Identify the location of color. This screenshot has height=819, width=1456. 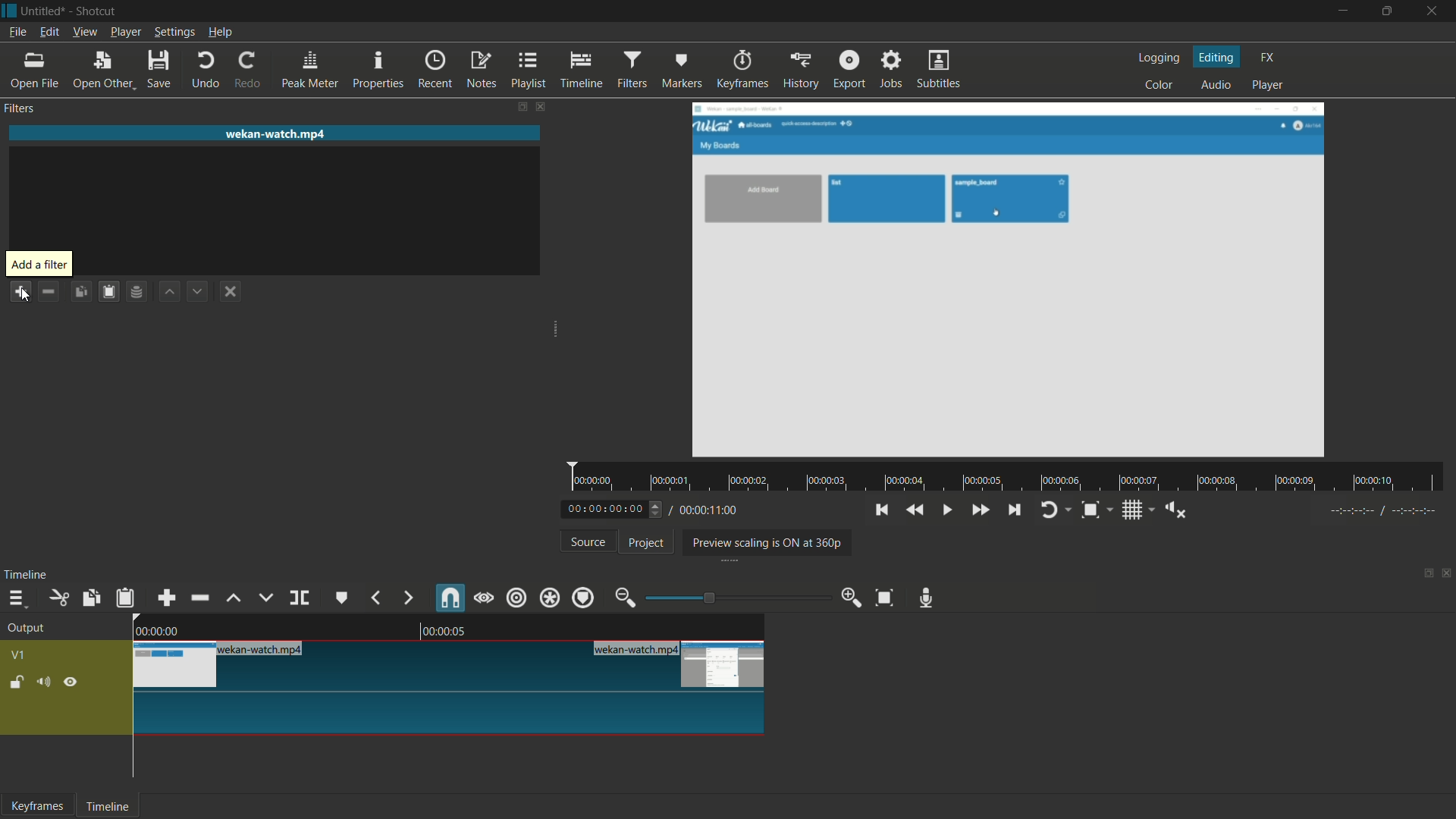
(1159, 86).